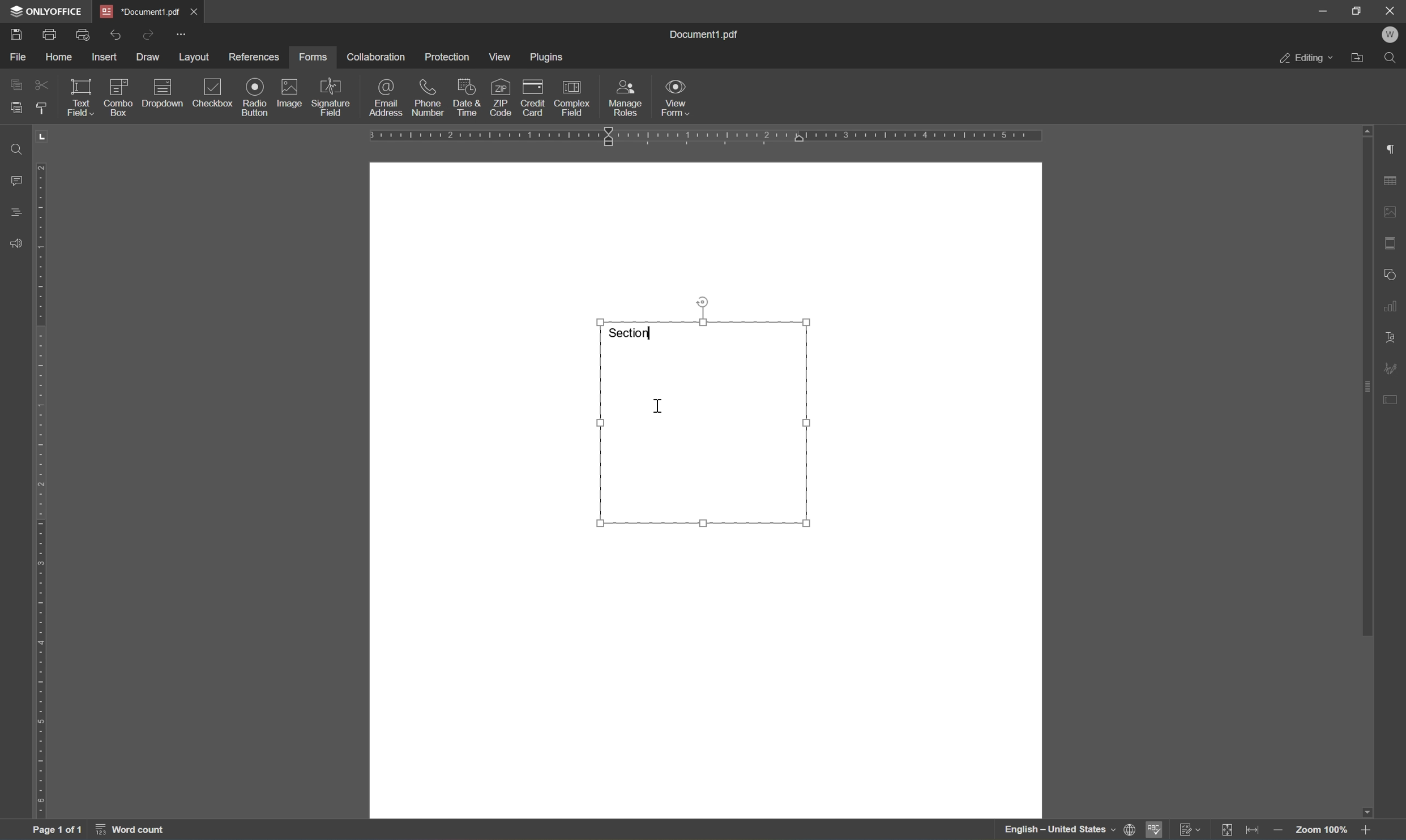 The width and height of the screenshot is (1406, 840). Describe the element at coordinates (331, 98) in the screenshot. I see `signature field` at that location.